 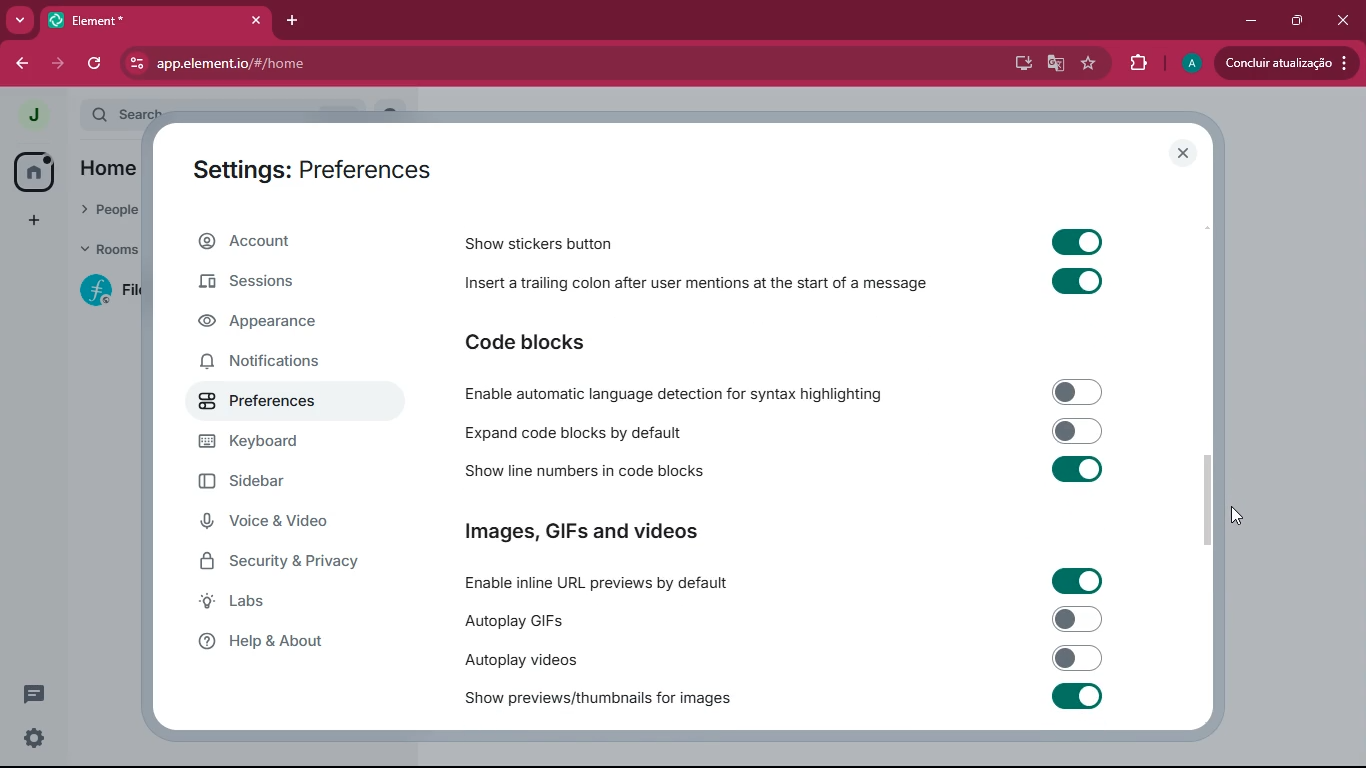 I want to click on search bar, so click(x=123, y=113).